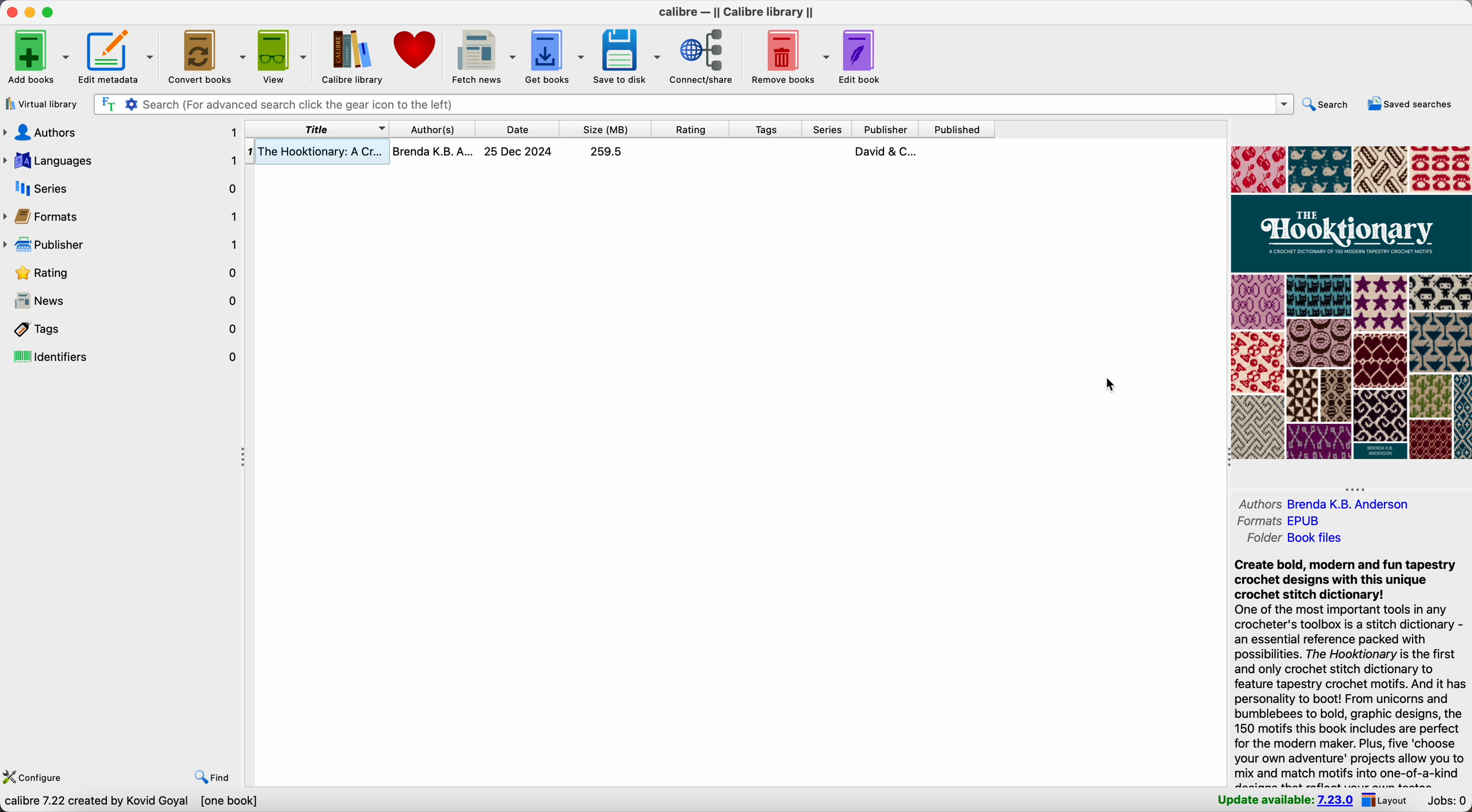  What do you see at coordinates (282, 55) in the screenshot?
I see `view` at bounding box center [282, 55].